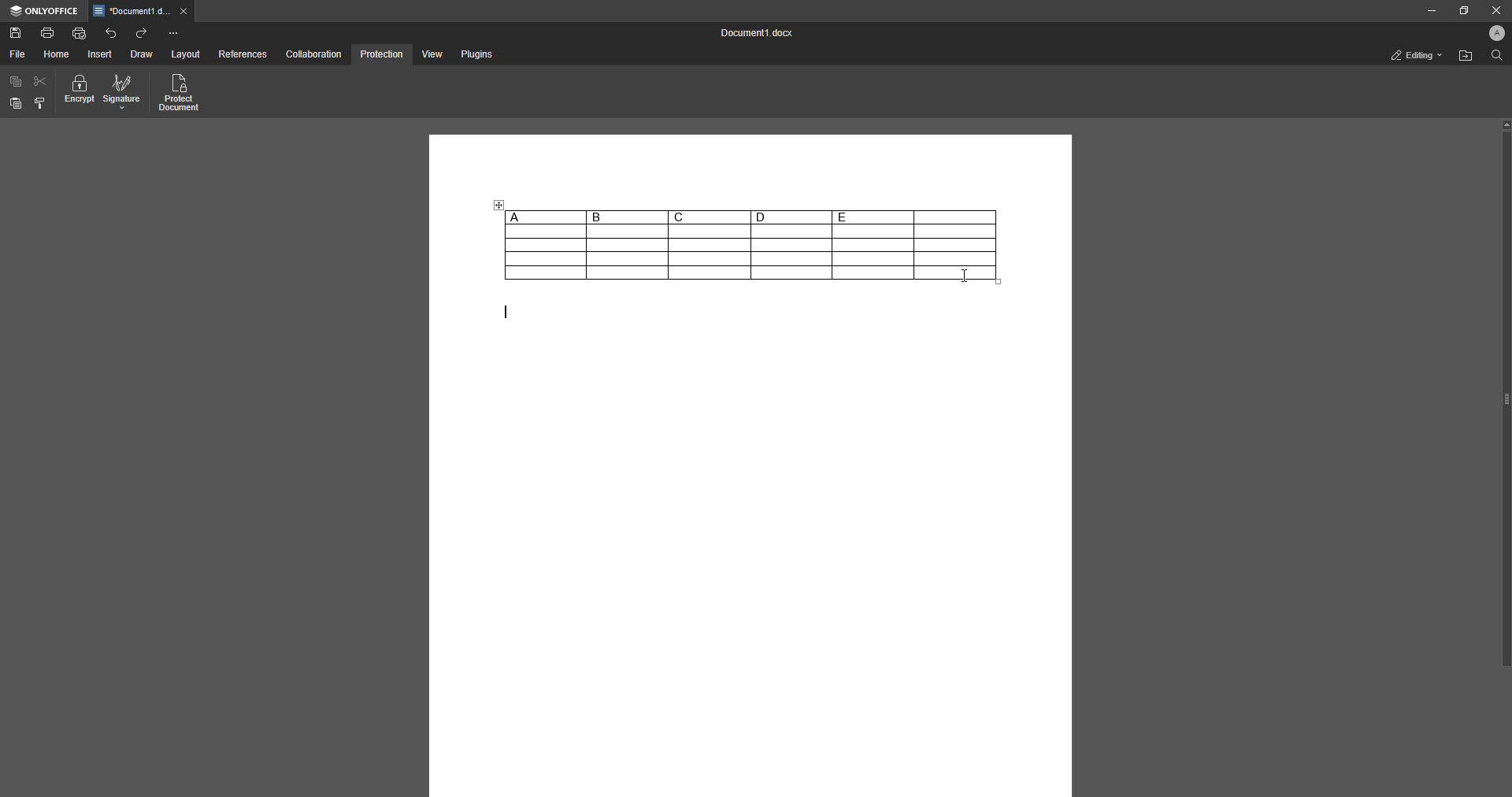 The image size is (1512, 797). What do you see at coordinates (80, 92) in the screenshot?
I see `Encrypt` at bounding box center [80, 92].